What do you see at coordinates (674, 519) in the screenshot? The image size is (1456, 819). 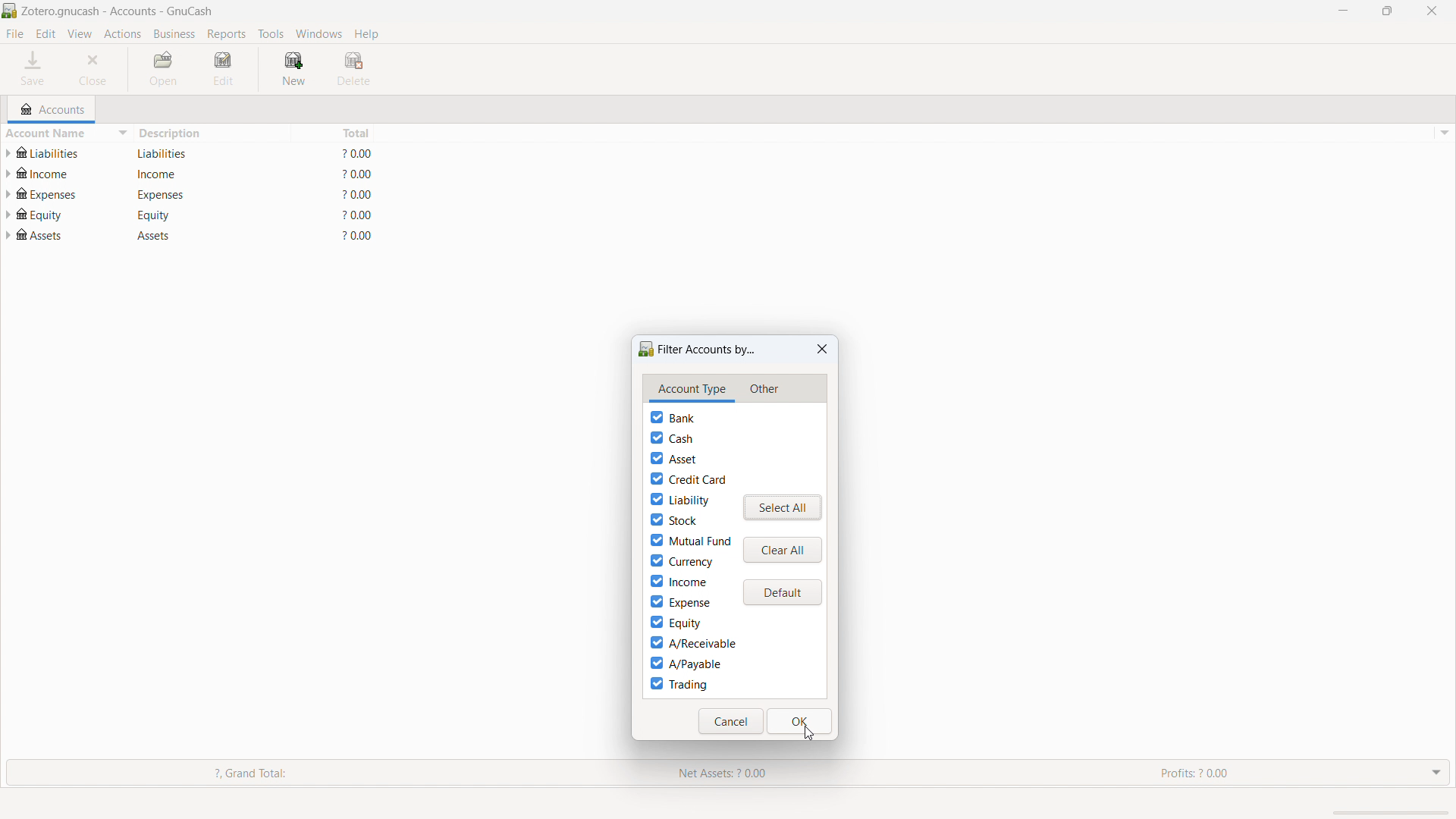 I see `stock` at bounding box center [674, 519].